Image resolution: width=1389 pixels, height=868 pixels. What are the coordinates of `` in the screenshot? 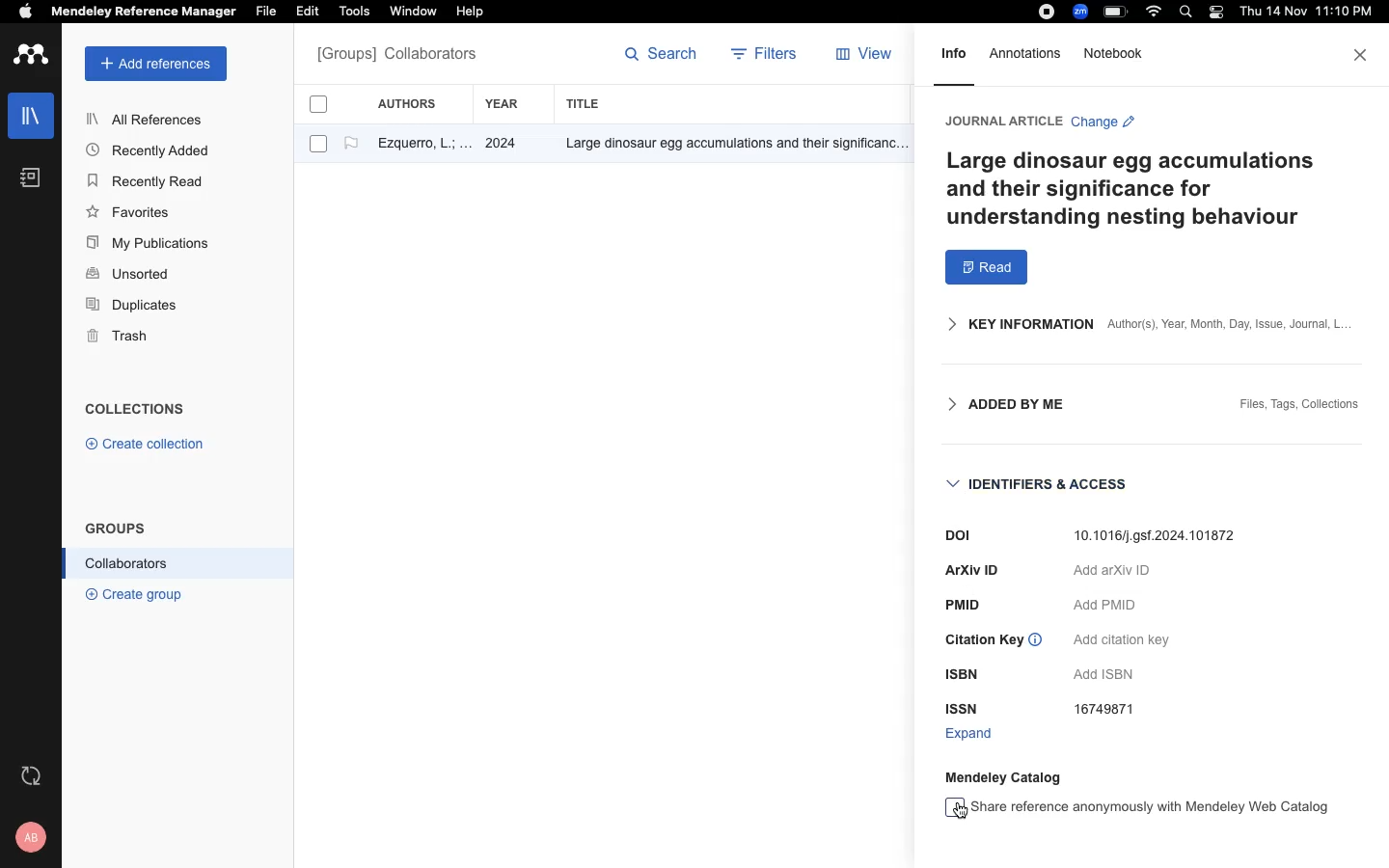 It's located at (728, 145).